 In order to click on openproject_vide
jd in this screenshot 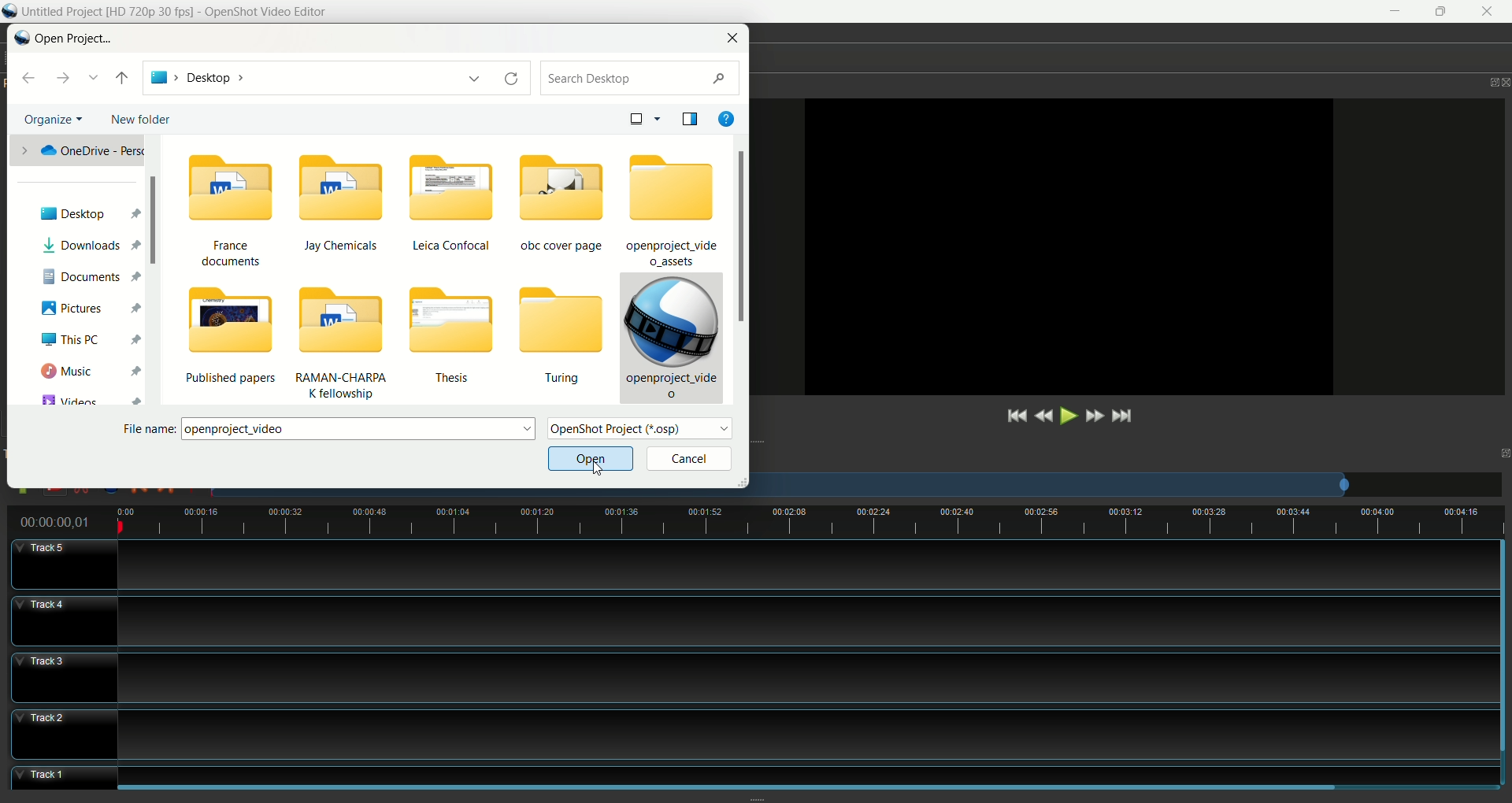, I will do `click(670, 337)`.